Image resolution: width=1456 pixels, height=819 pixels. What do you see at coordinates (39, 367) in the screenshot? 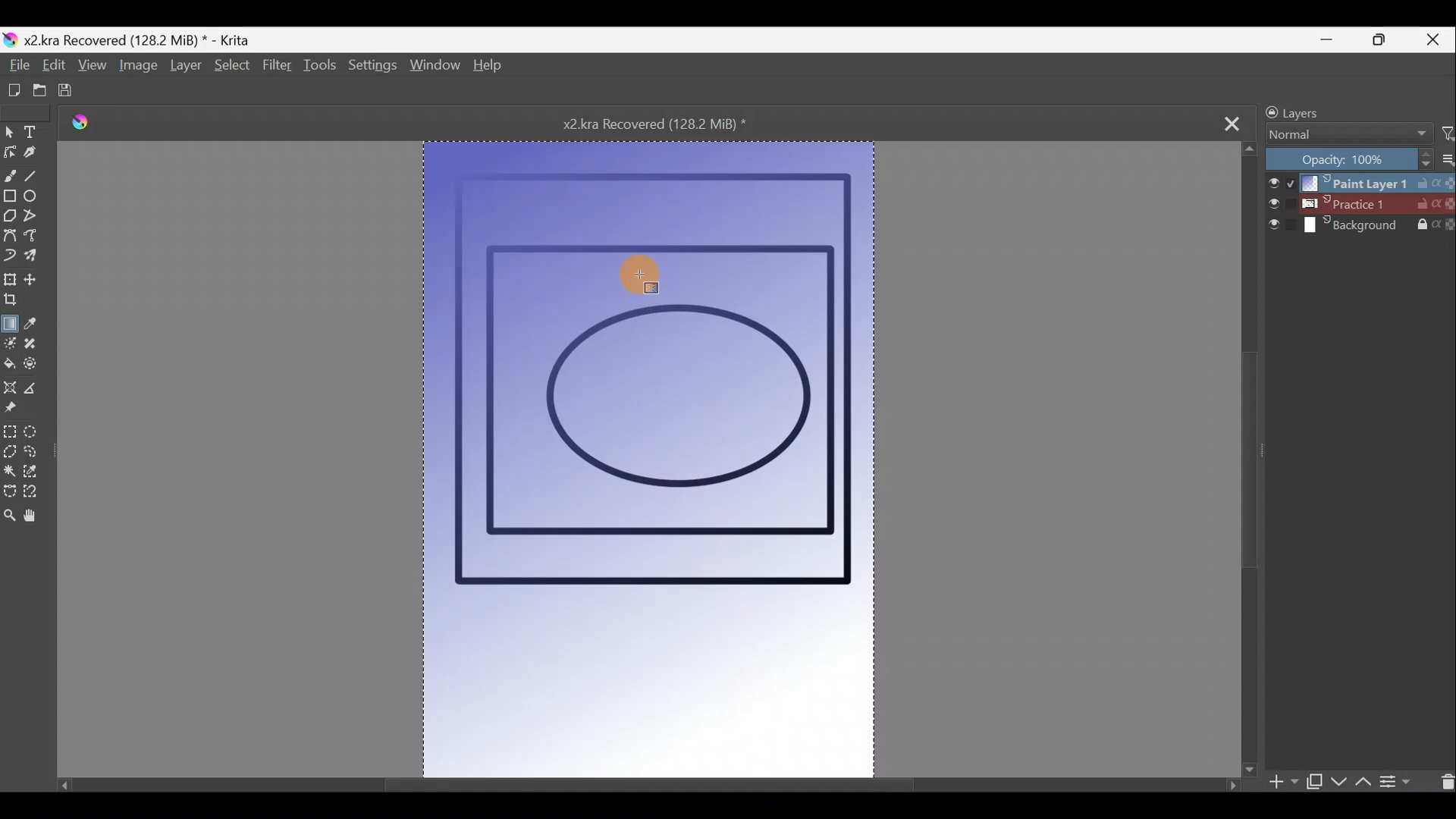
I see `Enclose & fill tool` at bounding box center [39, 367].